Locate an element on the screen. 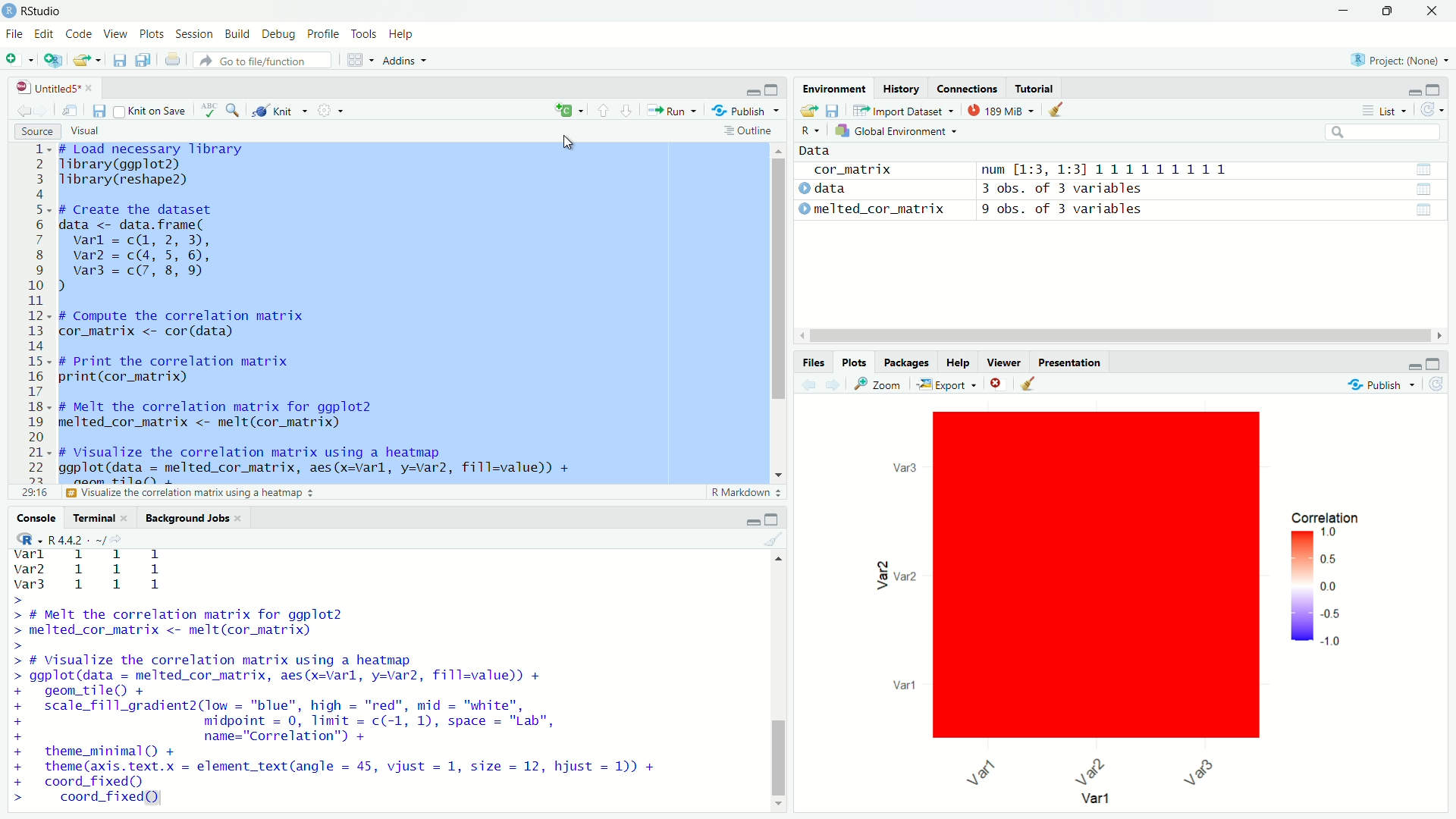 The image size is (1456, 819). import dataset is located at coordinates (904, 111).